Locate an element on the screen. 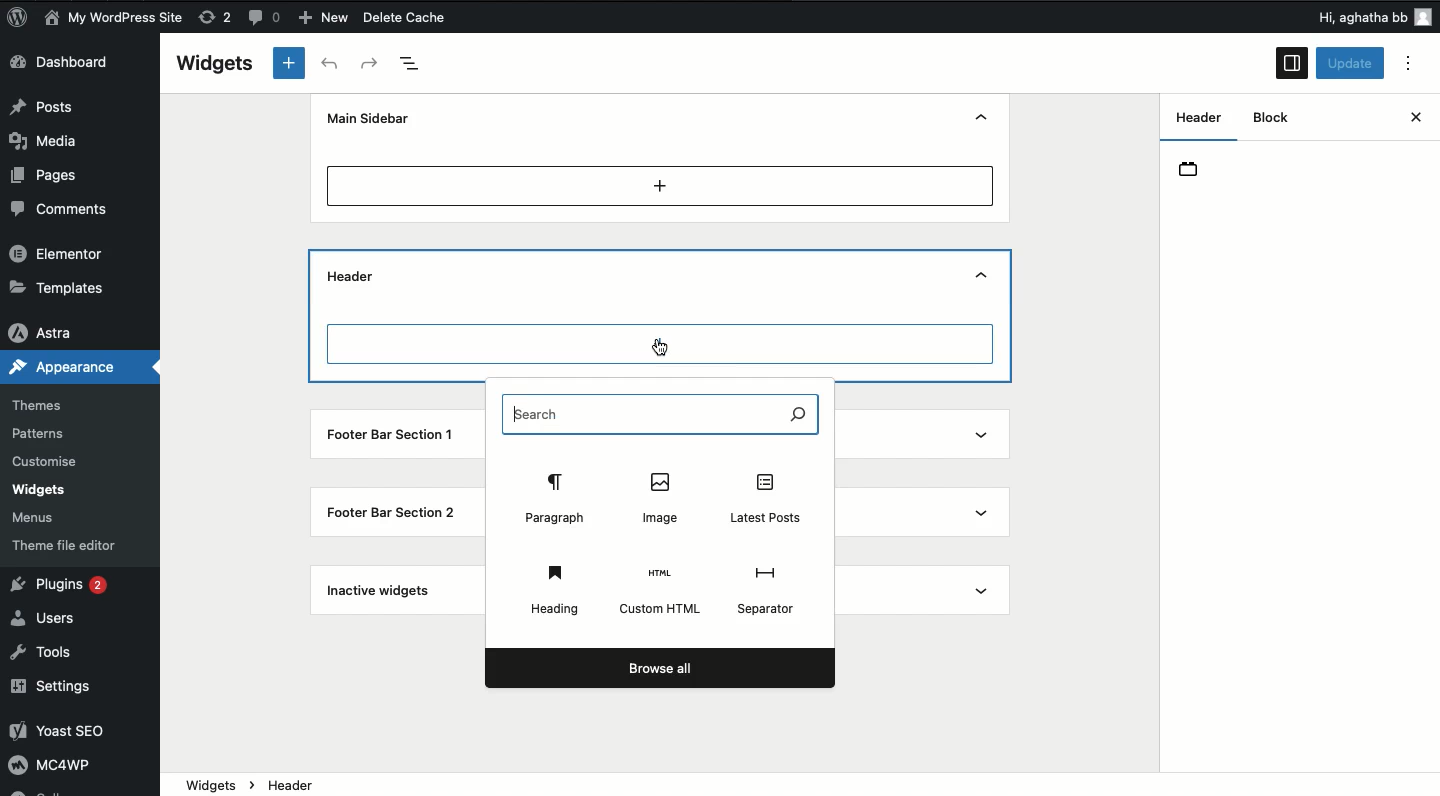 The width and height of the screenshot is (1440, 796). Posts is located at coordinates (51, 107).